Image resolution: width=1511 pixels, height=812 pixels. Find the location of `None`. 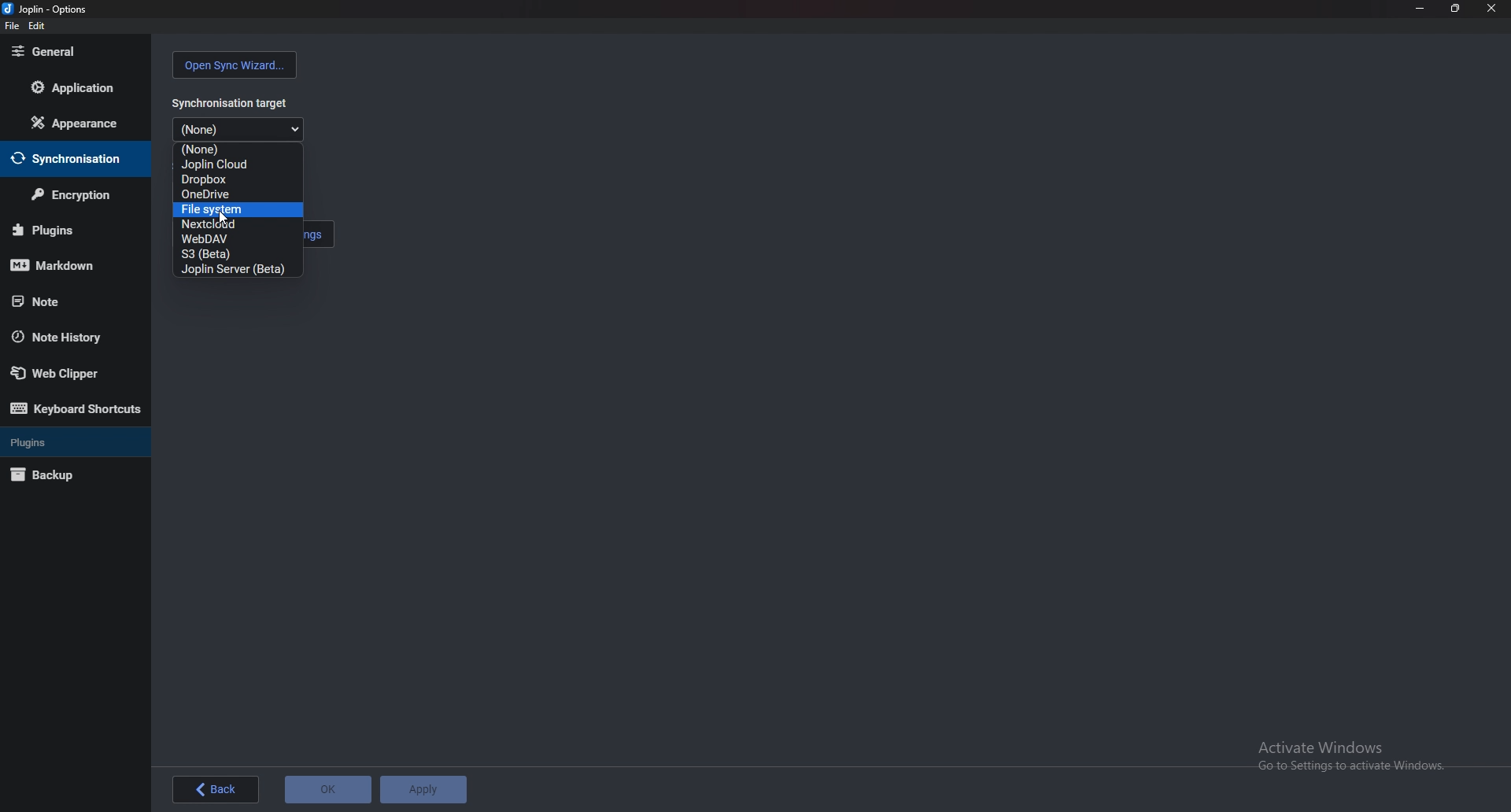

None is located at coordinates (238, 149).